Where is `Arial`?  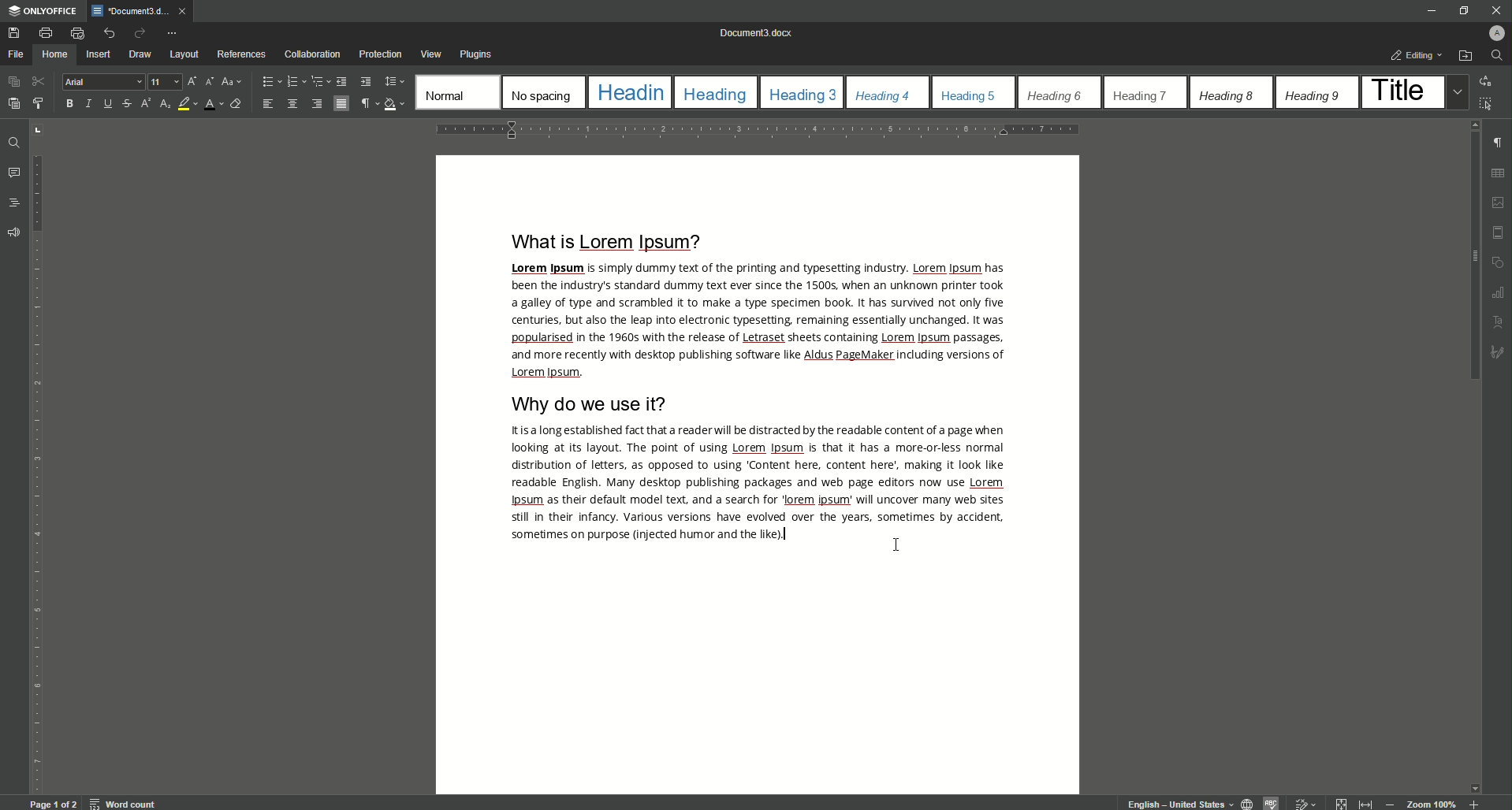
Arial is located at coordinates (103, 82).